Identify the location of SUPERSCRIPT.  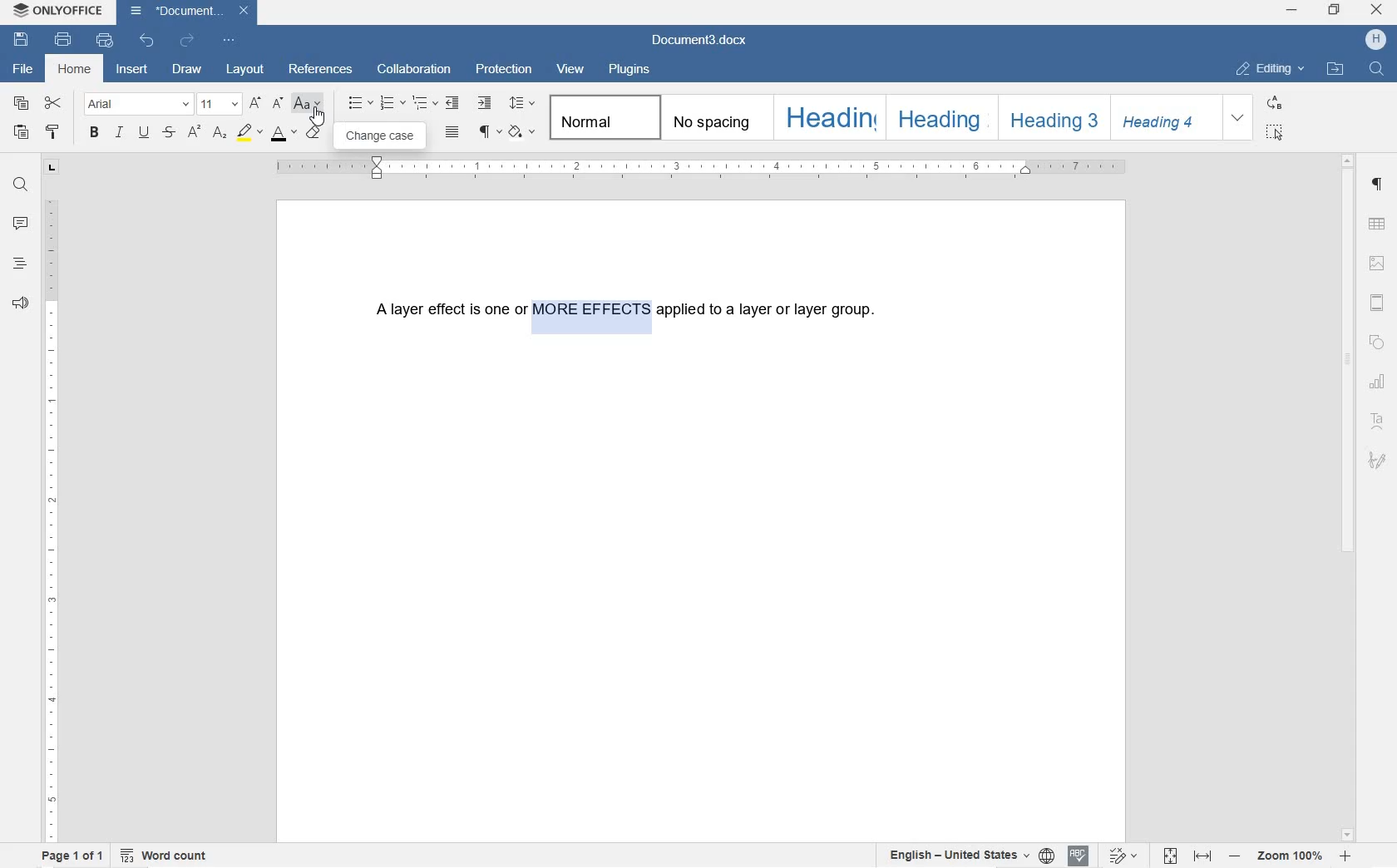
(194, 132).